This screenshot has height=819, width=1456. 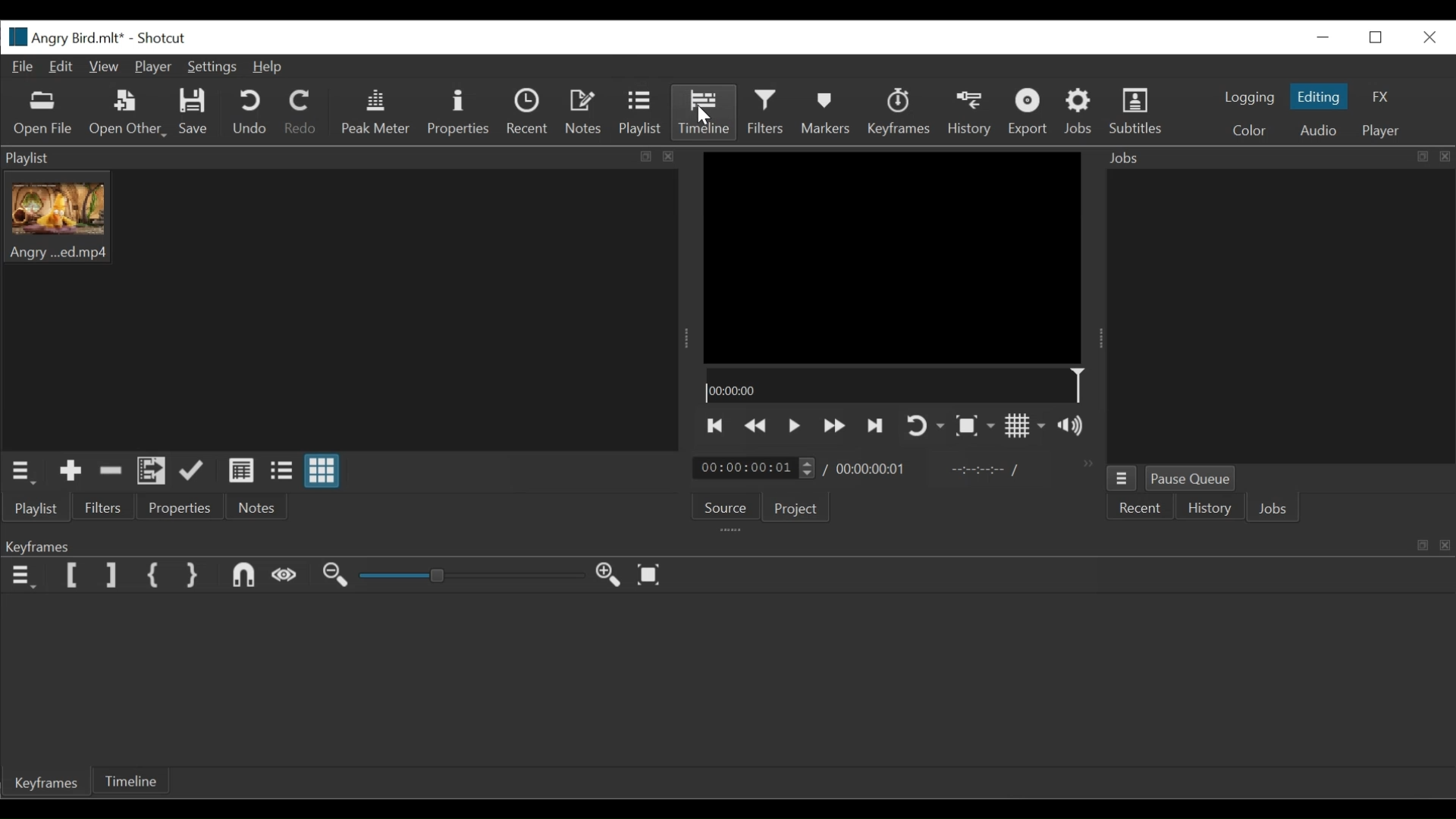 I want to click on Pause Queue, so click(x=1193, y=477).